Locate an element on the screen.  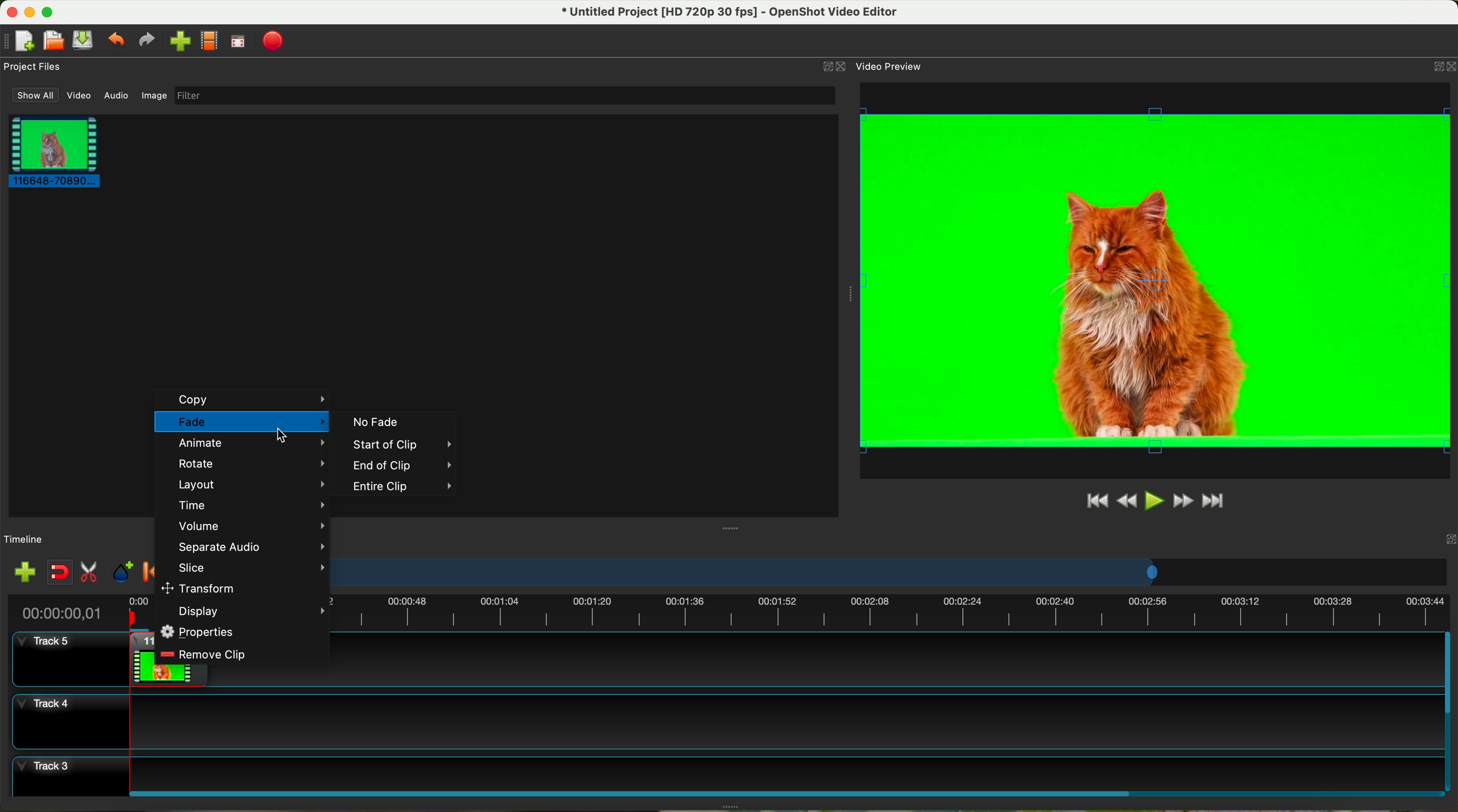
timeline is located at coordinates (24, 540).